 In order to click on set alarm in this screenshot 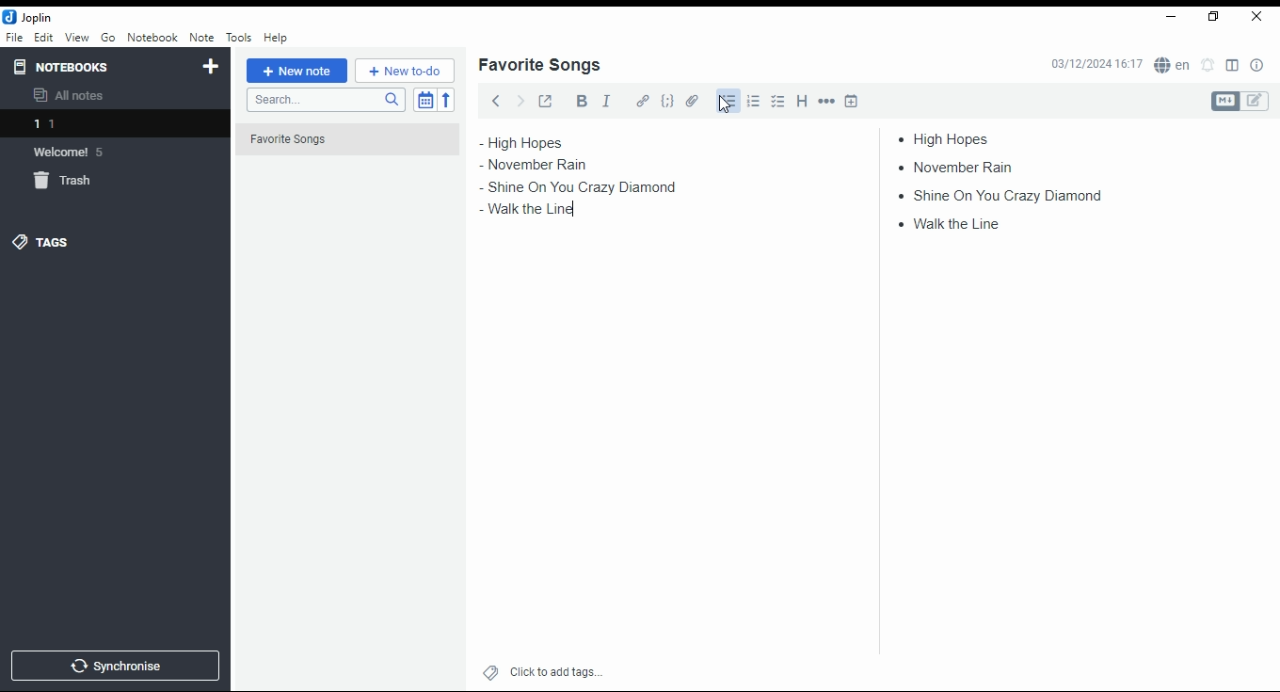, I will do `click(1209, 65)`.